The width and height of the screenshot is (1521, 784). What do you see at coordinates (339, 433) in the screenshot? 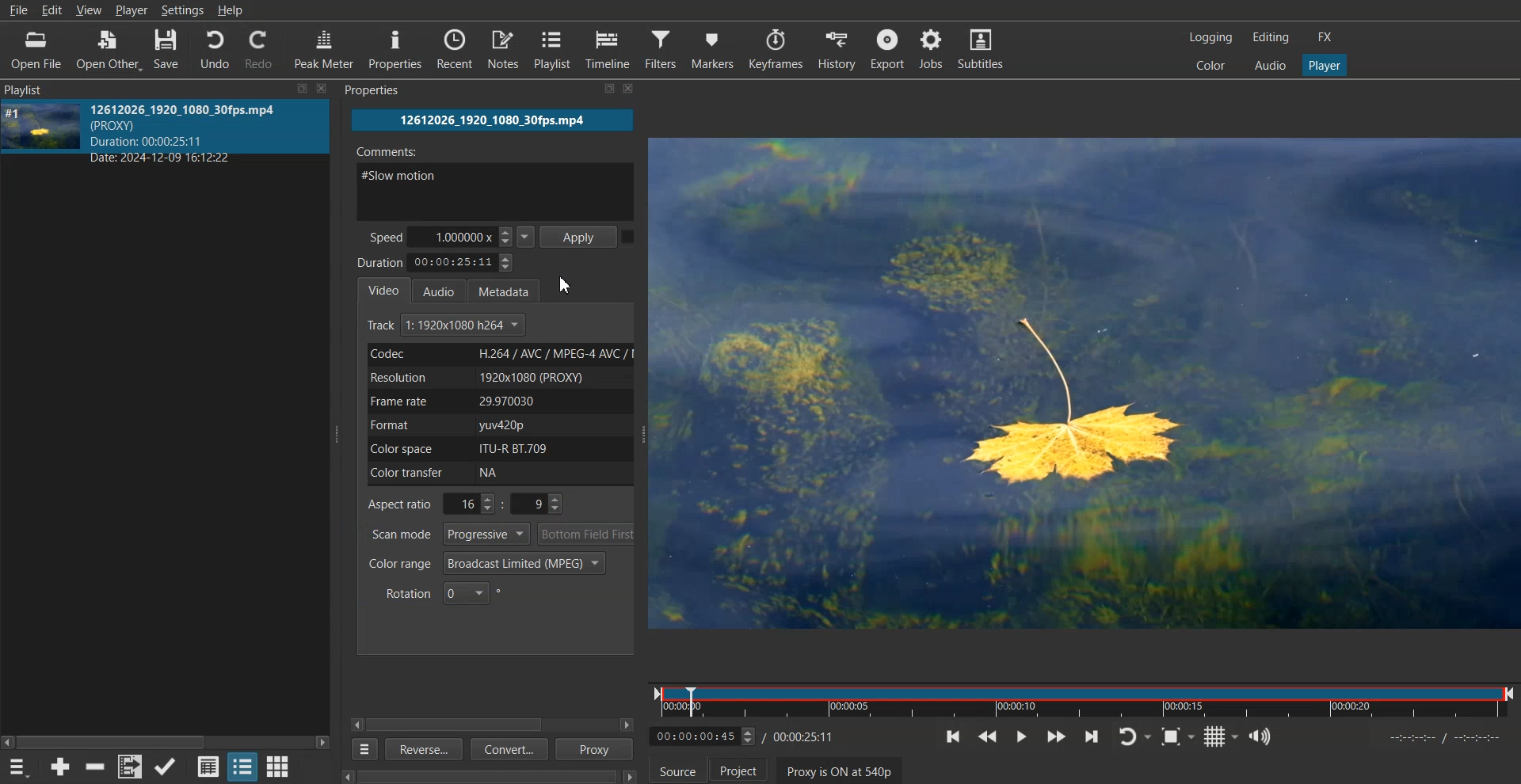
I see `Drag handle` at bounding box center [339, 433].